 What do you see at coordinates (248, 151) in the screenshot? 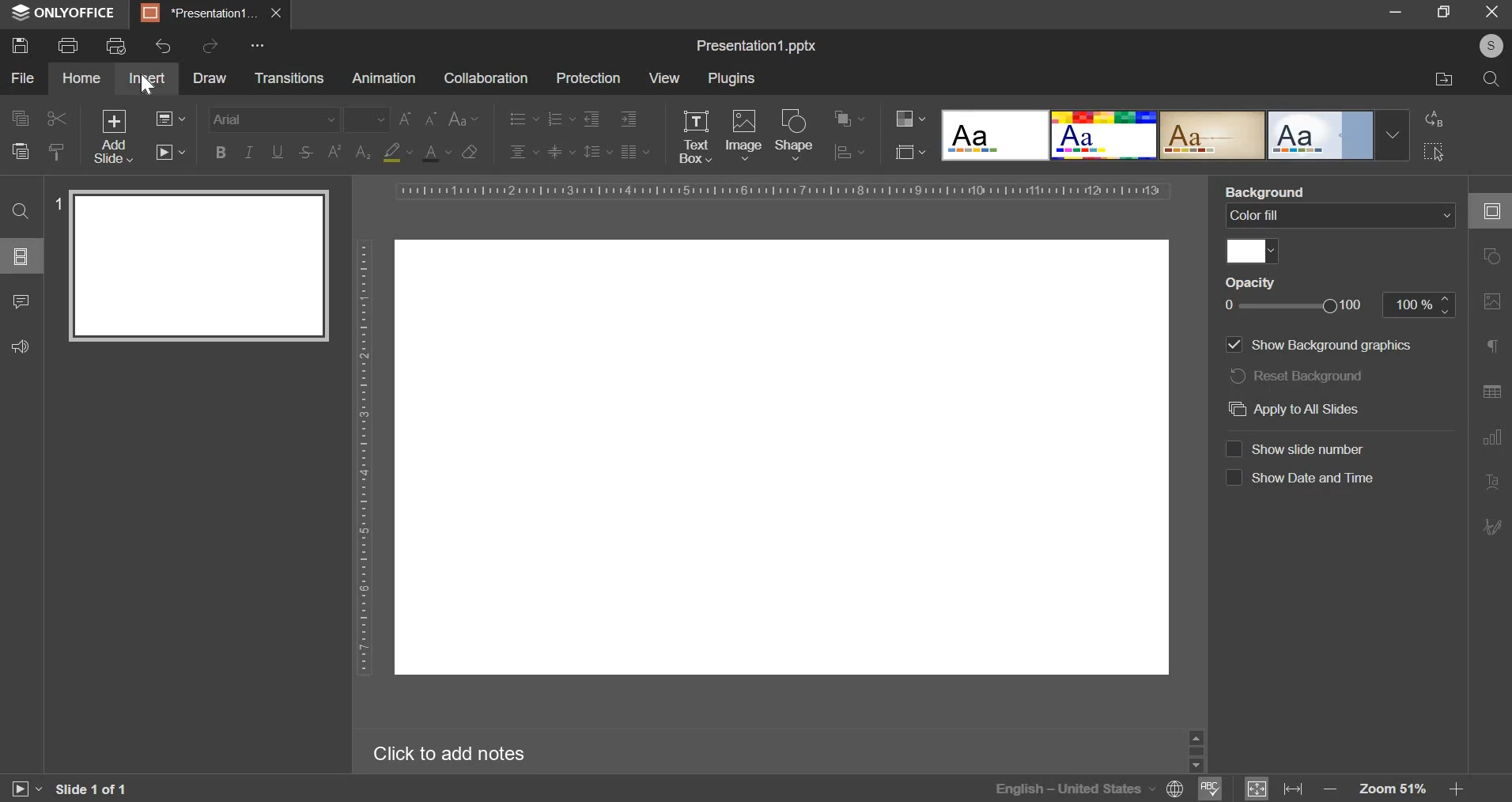
I see `italics` at bounding box center [248, 151].